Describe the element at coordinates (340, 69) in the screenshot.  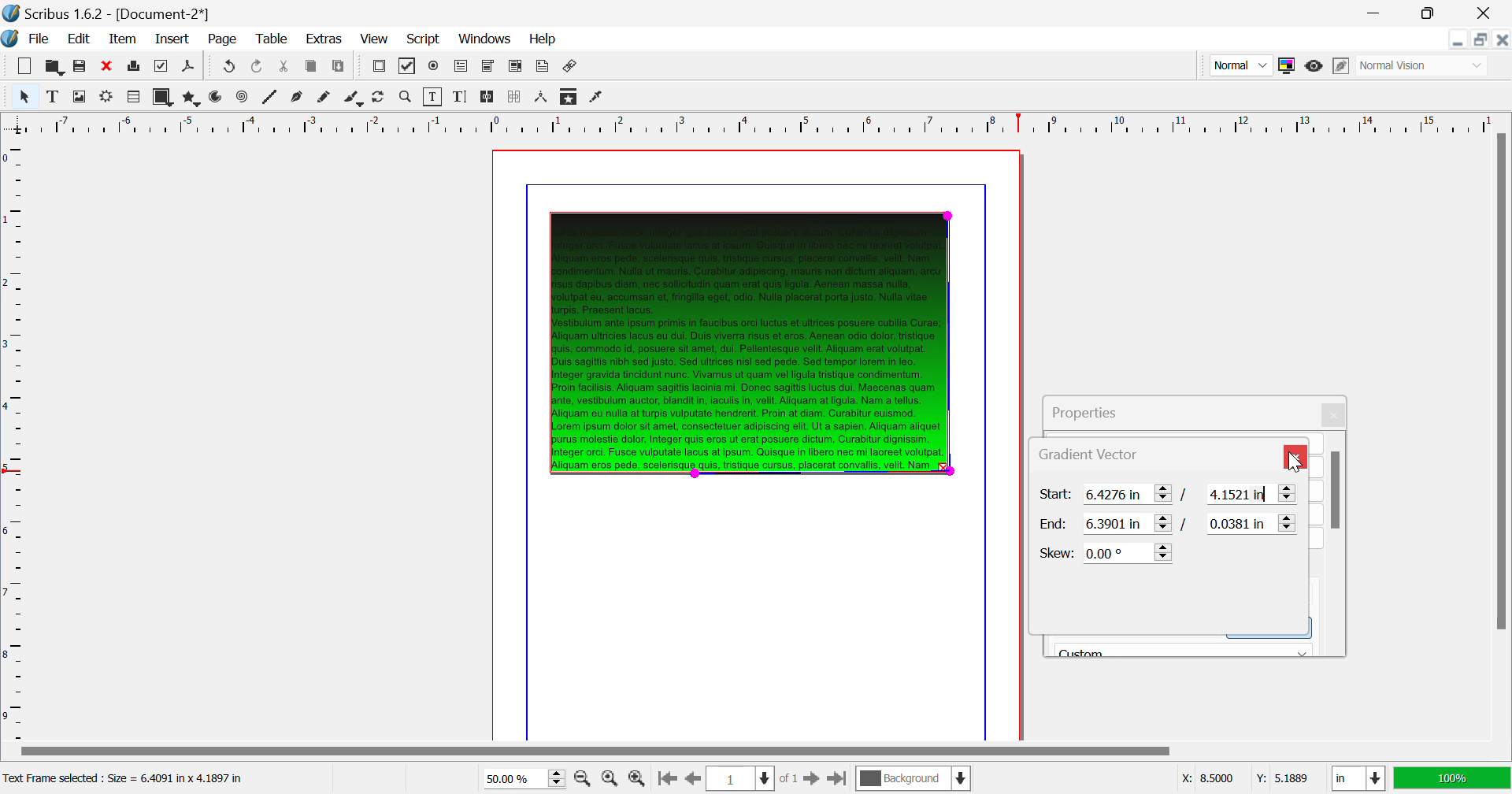
I see `Paste` at that location.